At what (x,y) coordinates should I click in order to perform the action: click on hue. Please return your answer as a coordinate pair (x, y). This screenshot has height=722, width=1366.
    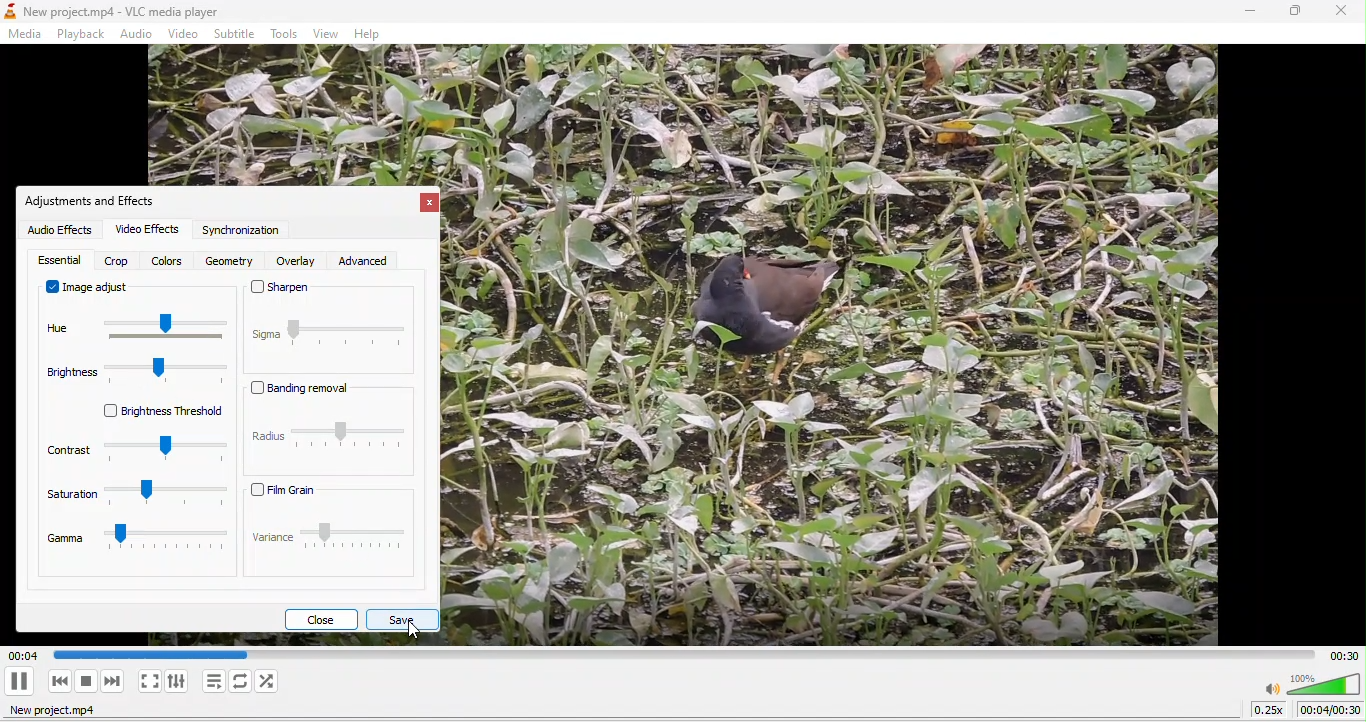
    Looking at the image, I should click on (136, 331).